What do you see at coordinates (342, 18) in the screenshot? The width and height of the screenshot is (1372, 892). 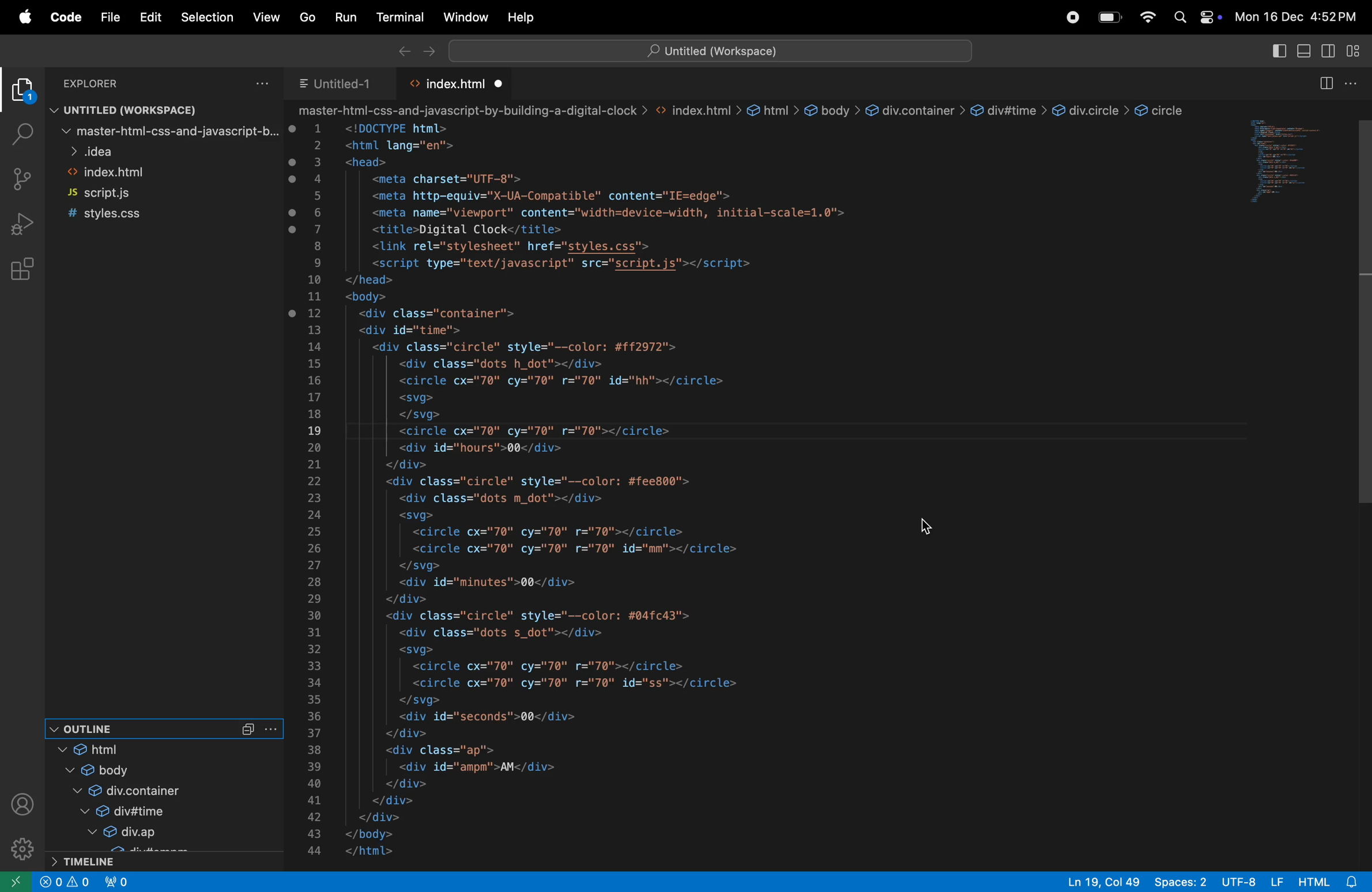 I see `run` at bounding box center [342, 18].